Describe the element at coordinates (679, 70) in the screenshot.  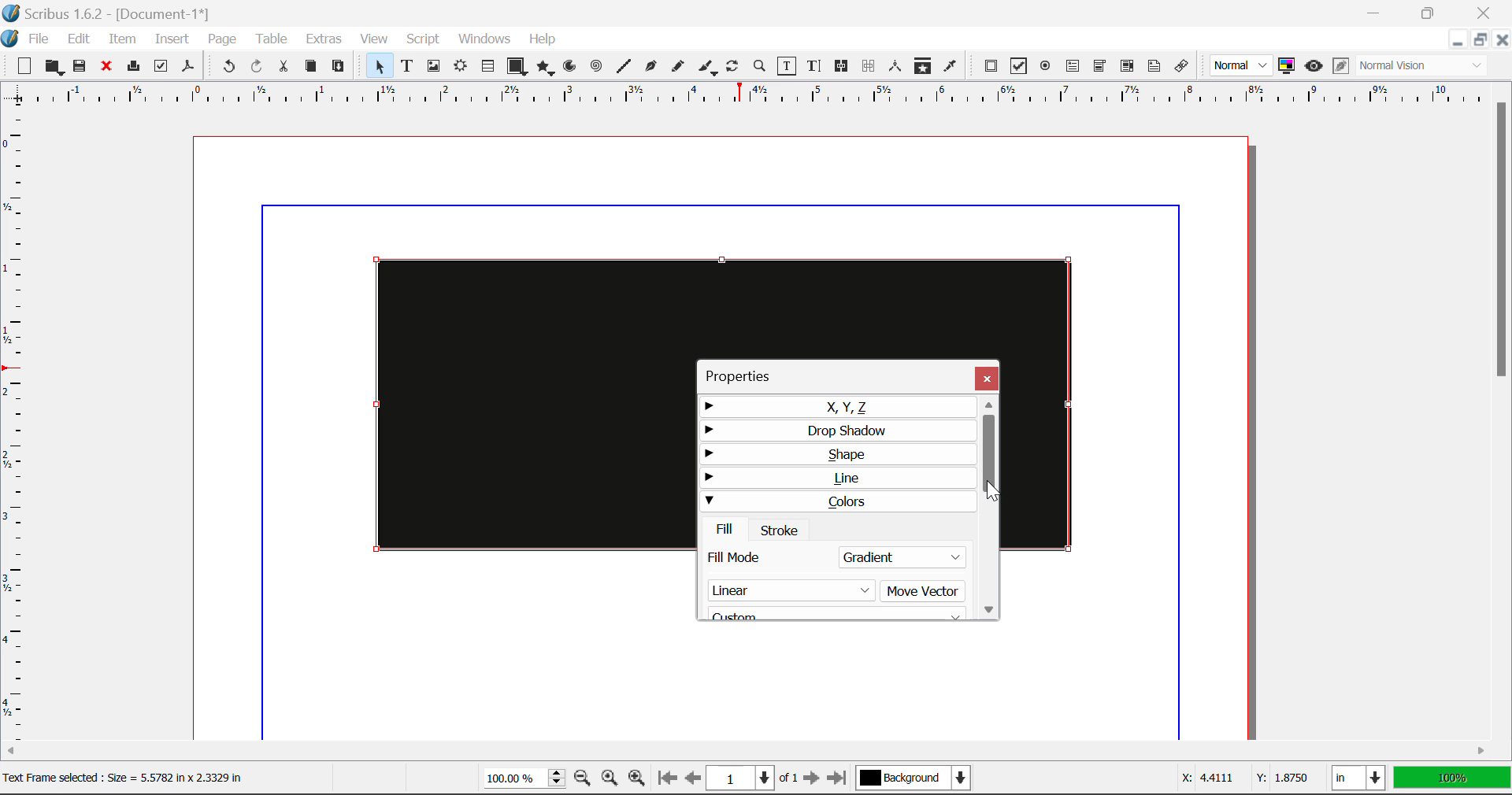
I see `Freehand` at that location.